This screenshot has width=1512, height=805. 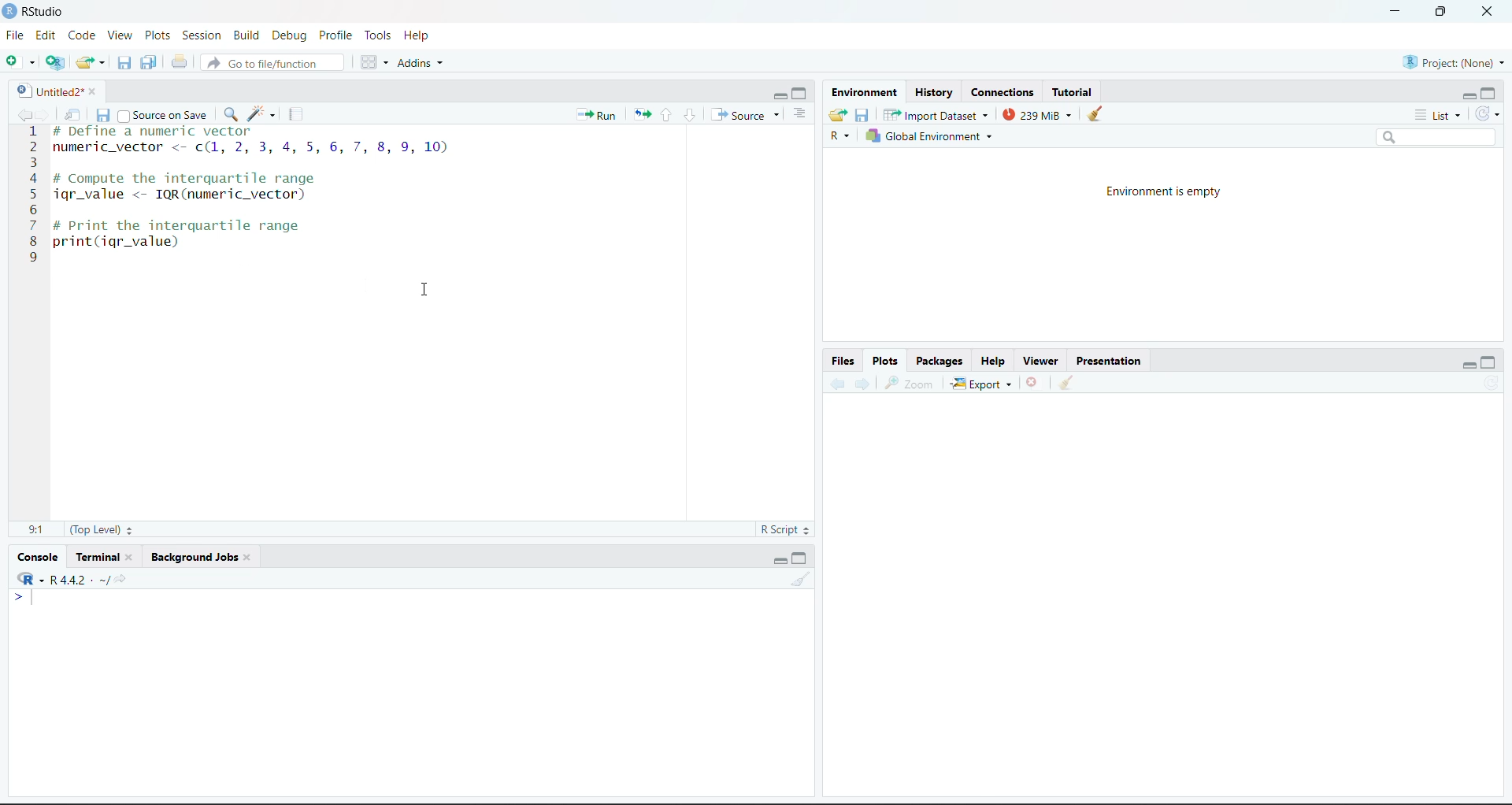 What do you see at coordinates (832, 382) in the screenshot?
I see `Go back to the previous source location (Ctrl + F9)` at bounding box center [832, 382].